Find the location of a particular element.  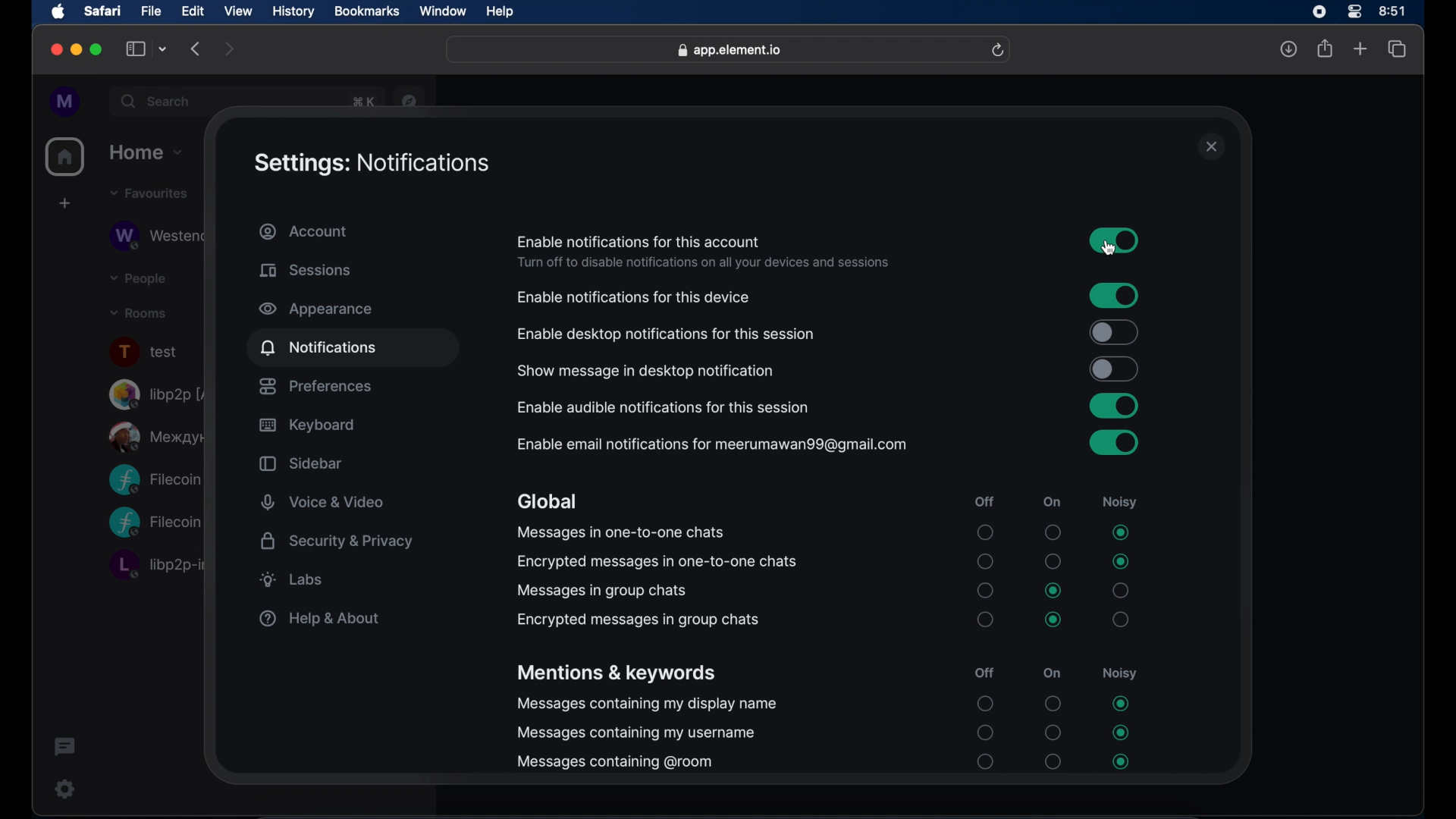

threads is located at coordinates (67, 748).